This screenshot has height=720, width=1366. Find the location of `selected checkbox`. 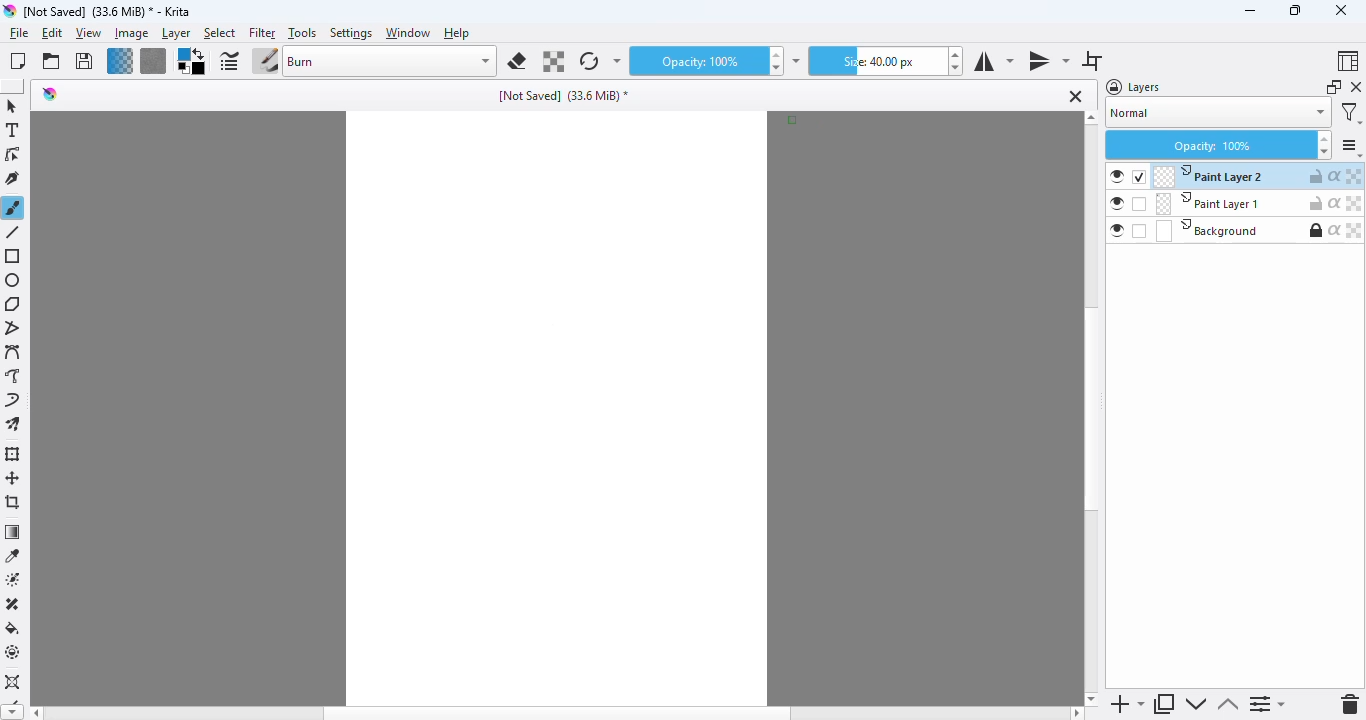

selected checkbox is located at coordinates (1138, 231).